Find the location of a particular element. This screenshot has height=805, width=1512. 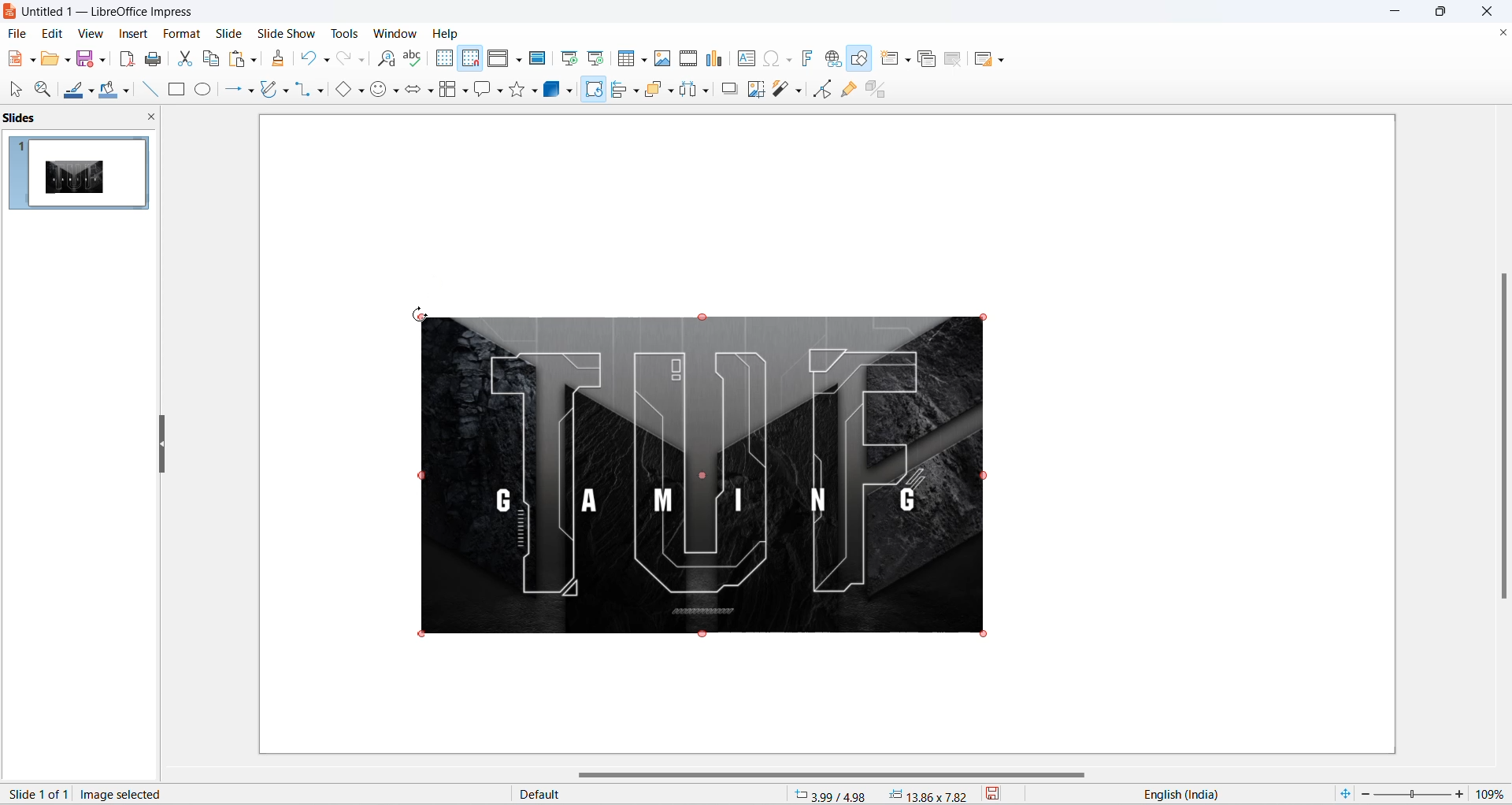

fit current slide to windows is located at coordinates (1343, 793).